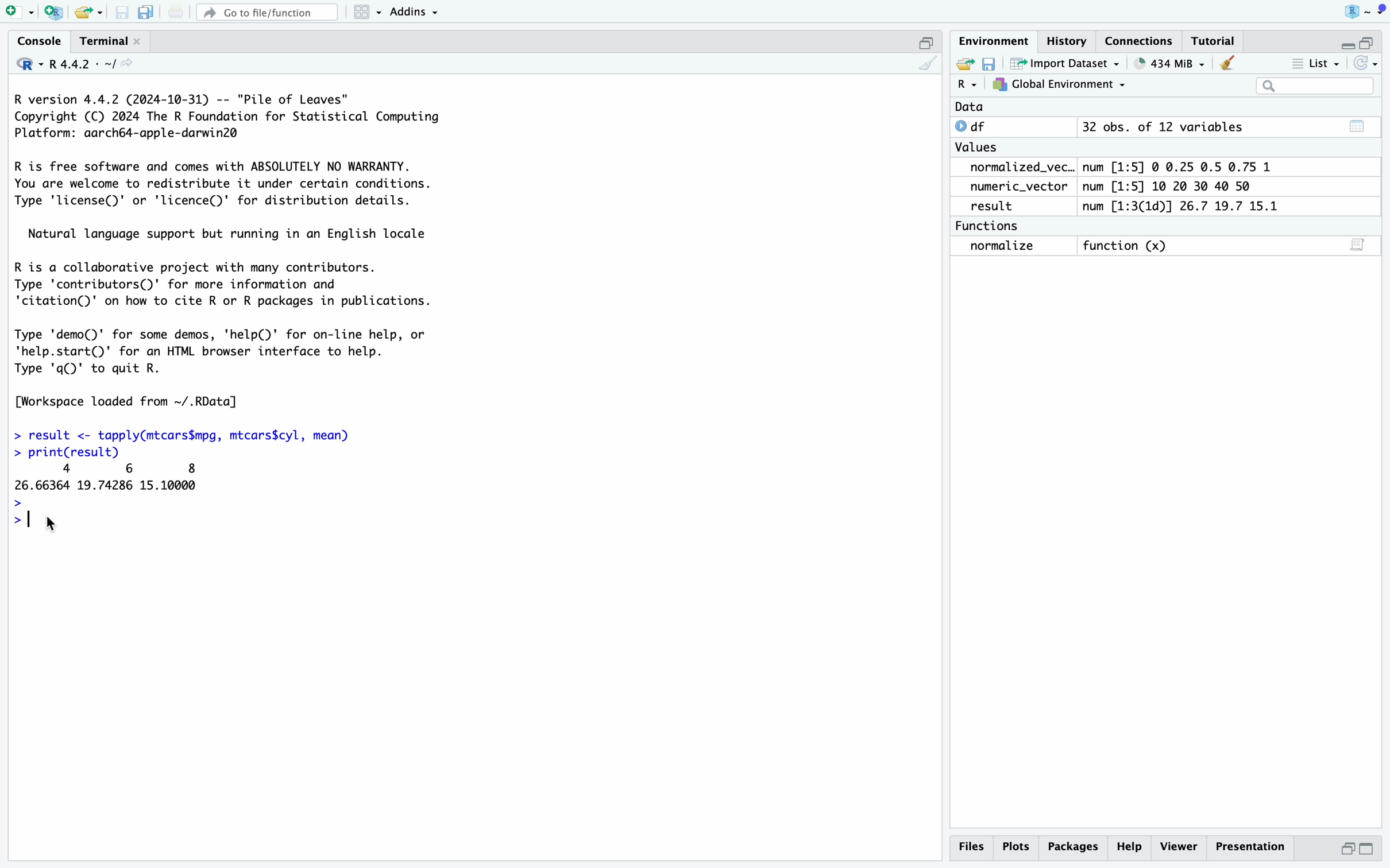  What do you see at coordinates (146, 12) in the screenshot?
I see `Save all open files` at bounding box center [146, 12].